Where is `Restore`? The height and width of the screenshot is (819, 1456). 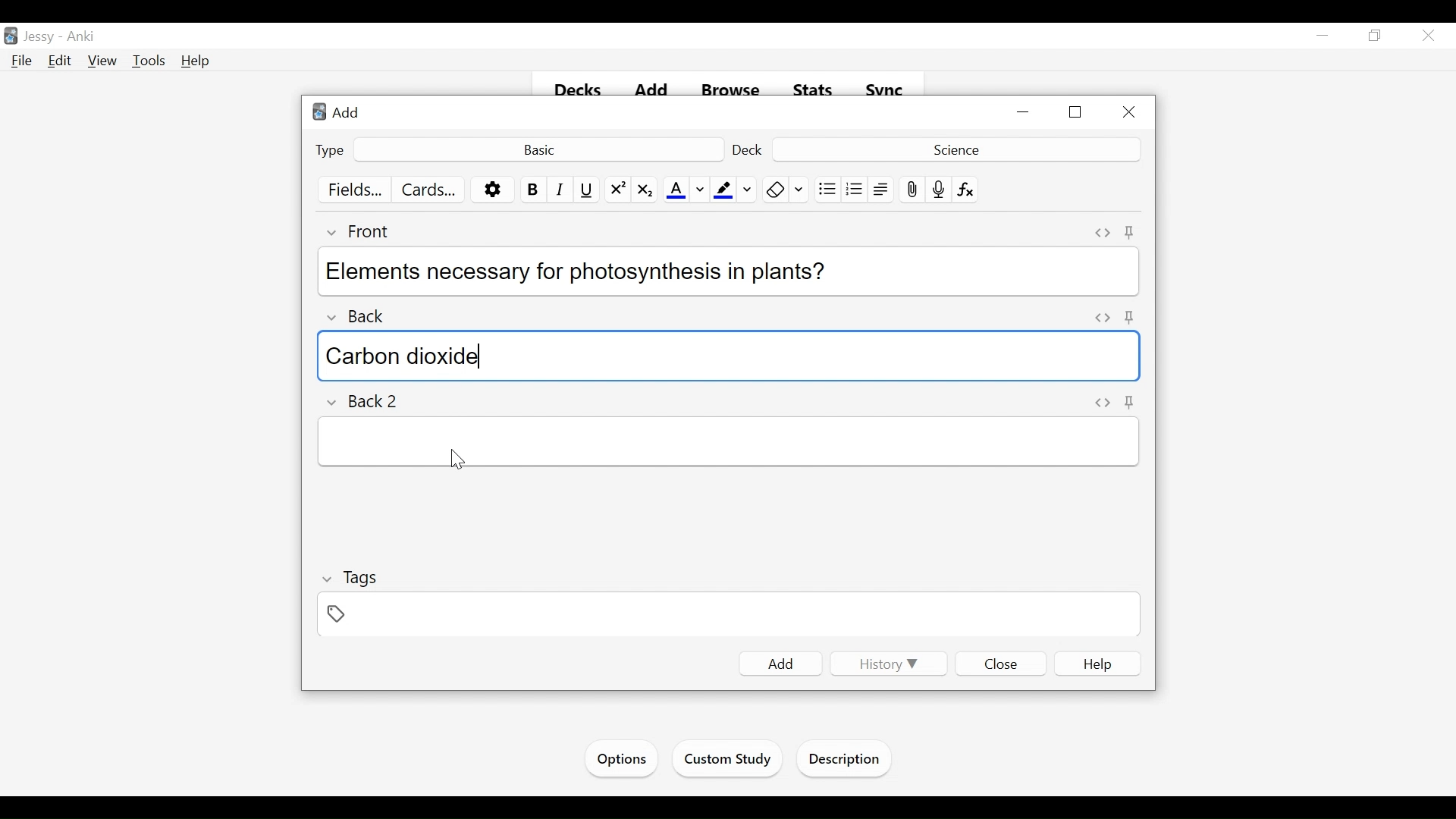
Restore is located at coordinates (1077, 113).